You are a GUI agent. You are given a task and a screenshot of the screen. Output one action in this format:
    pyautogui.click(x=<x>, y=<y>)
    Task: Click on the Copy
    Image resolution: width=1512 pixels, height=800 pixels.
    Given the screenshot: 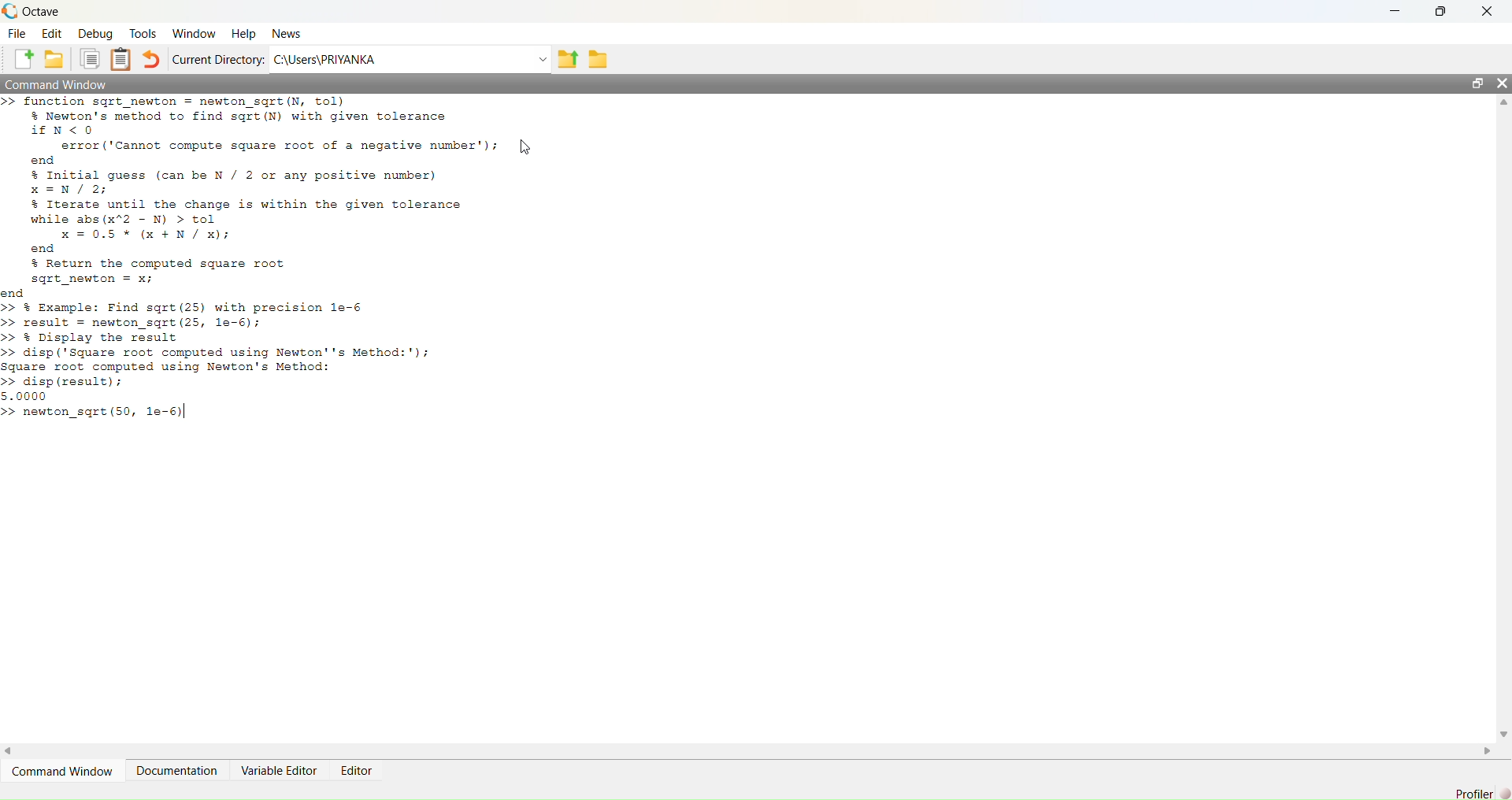 What is the action you would take?
    pyautogui.click(x=91, y=61)
    